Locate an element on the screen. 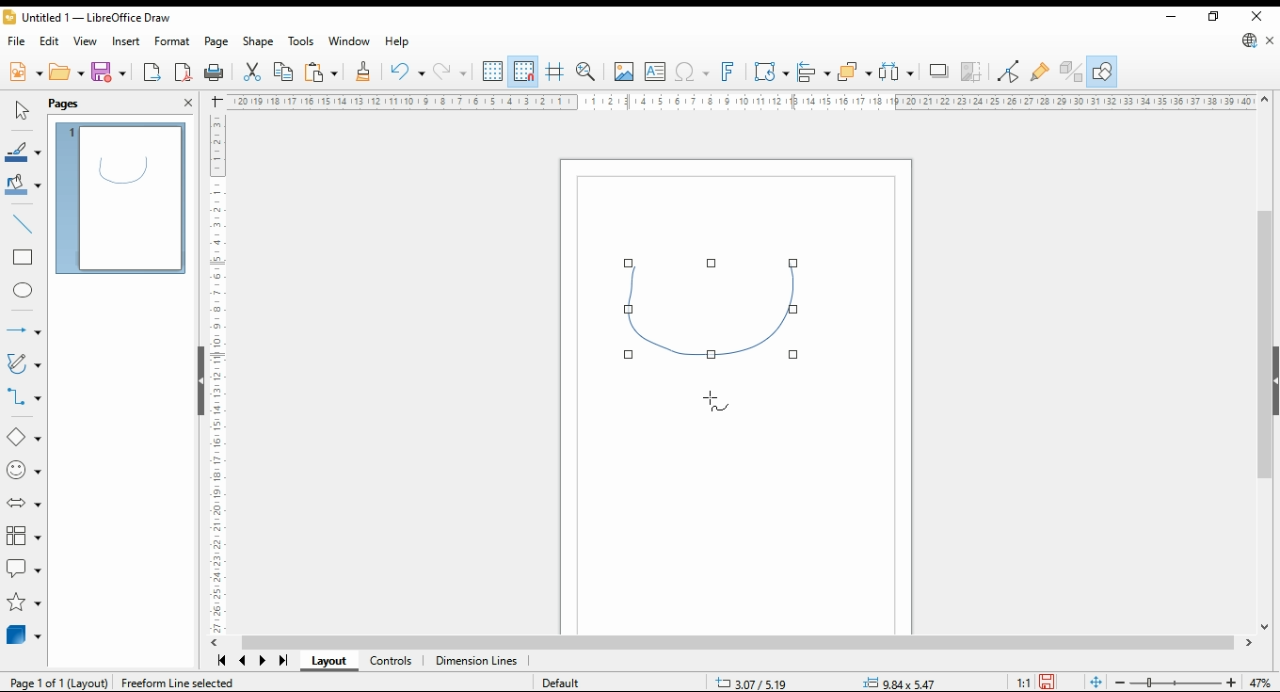 Image resolution: width=1280 pixels, height=692 pixels. show gluepoint functions is located at coordinates (1041, 72).